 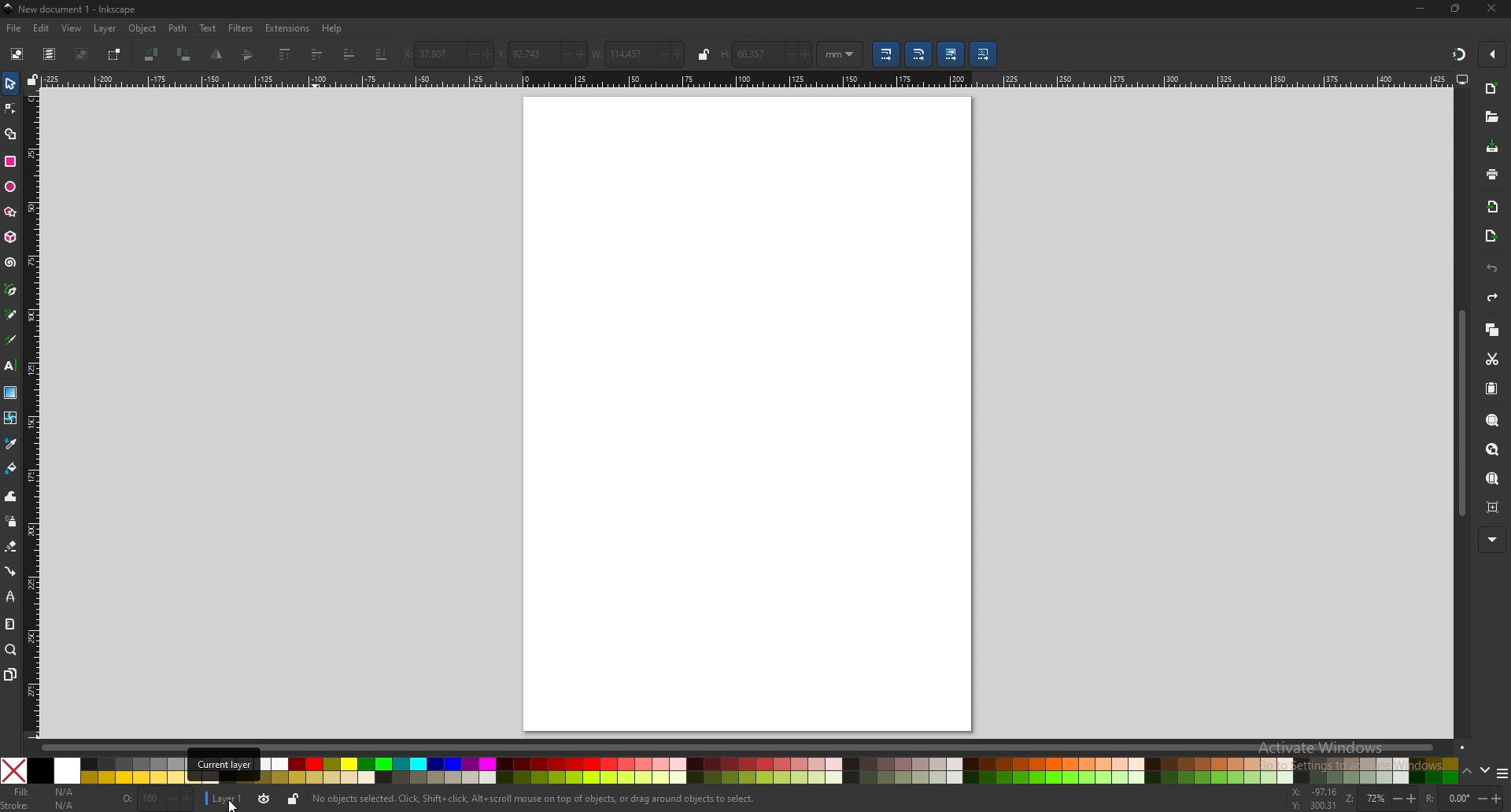 I want to click on erase, so click(x=12, y=548).